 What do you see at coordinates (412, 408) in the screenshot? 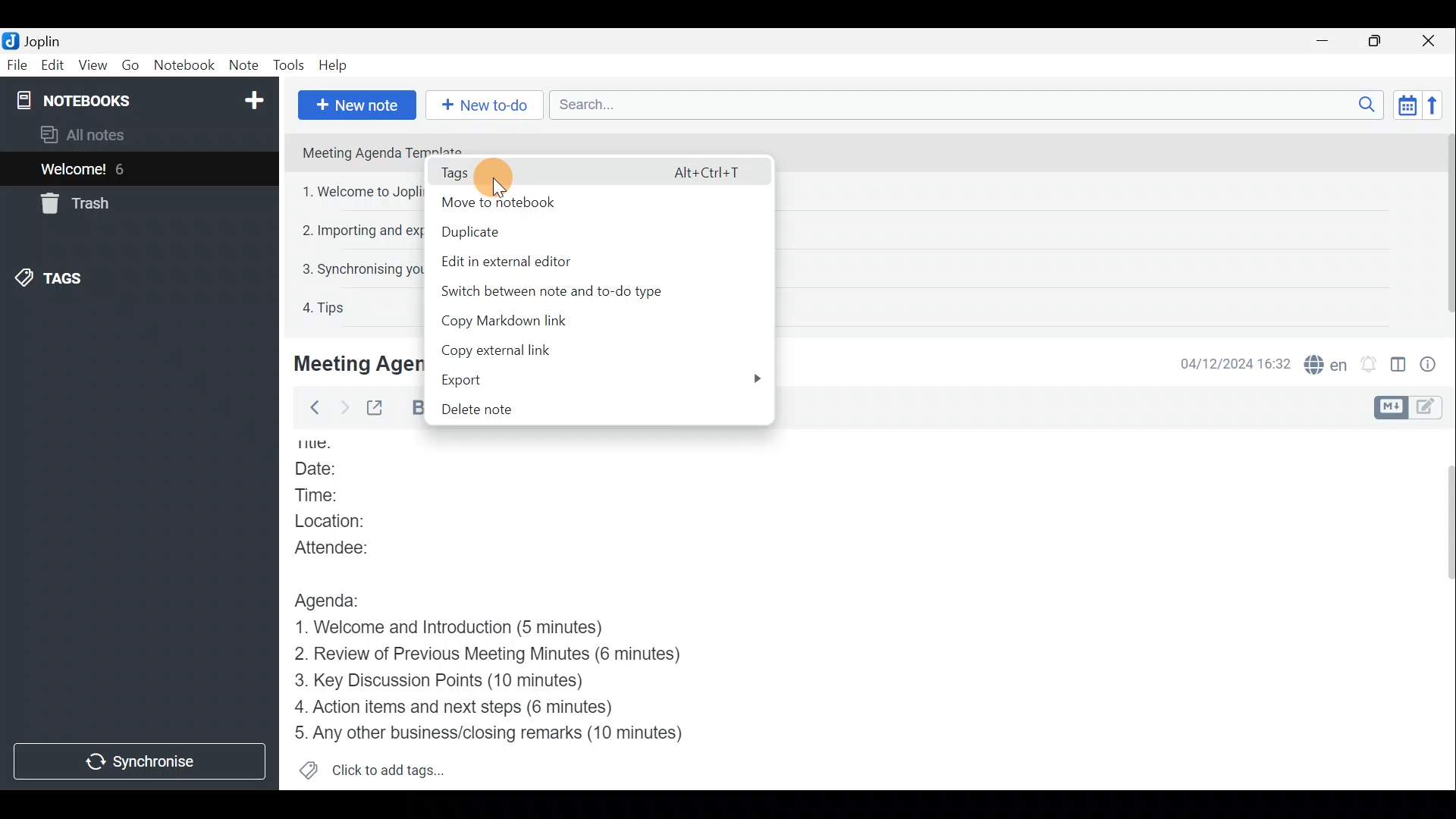
I see `Bold` at bounding box center [412, 408].